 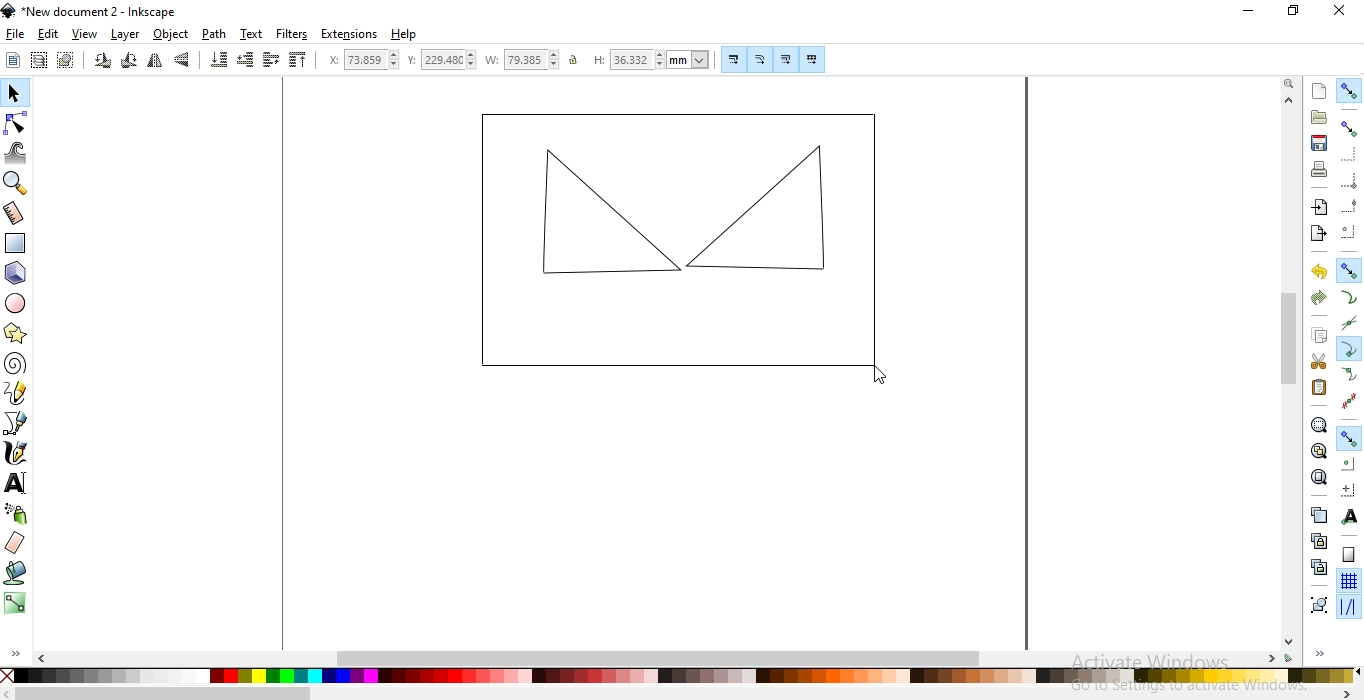 What do you see at coordinates (1349, 91) in the screenshot?
I see `enable snapping` at bounding box center [1349, 91].